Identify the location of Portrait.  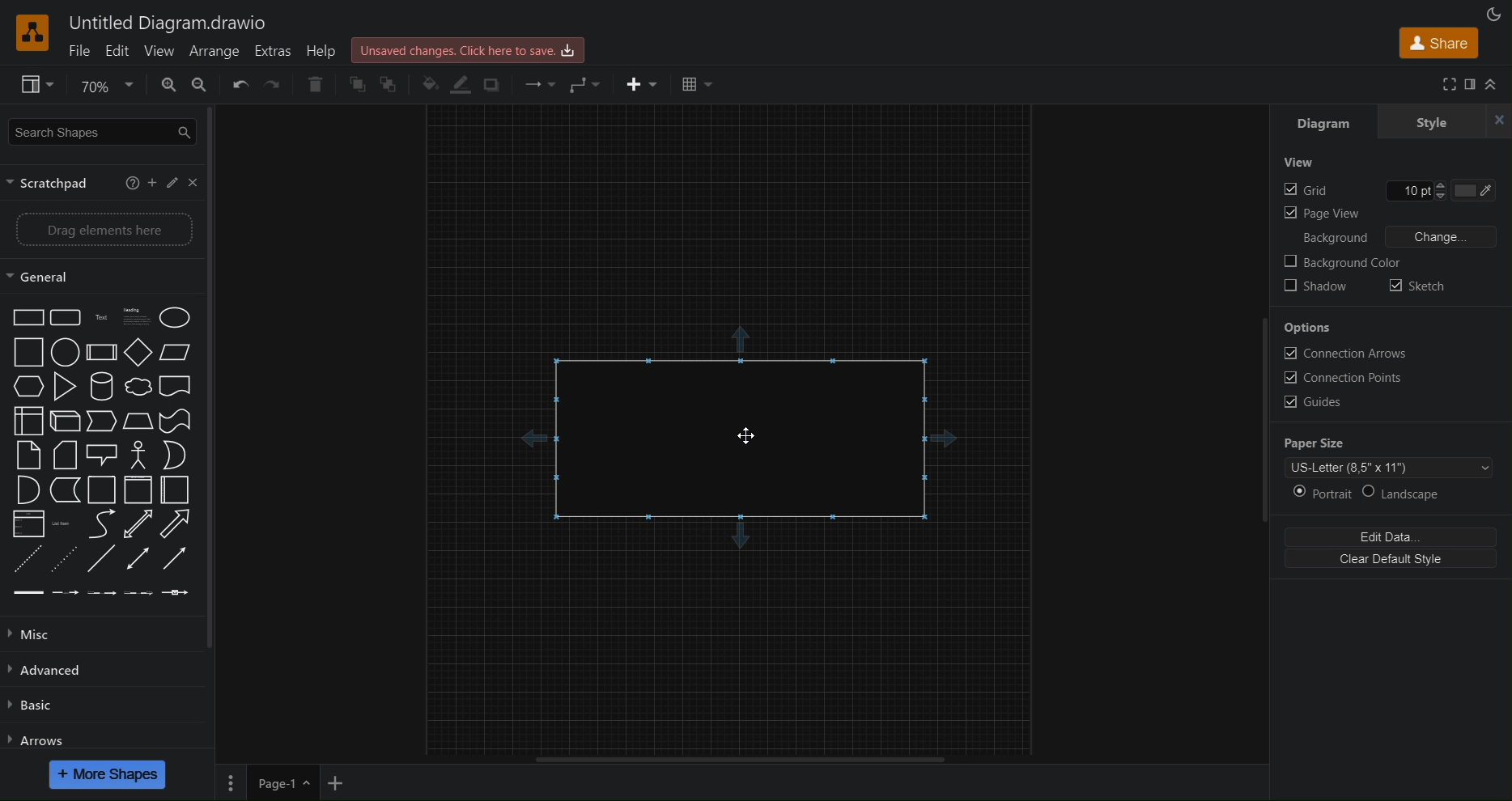
(1319, 494).